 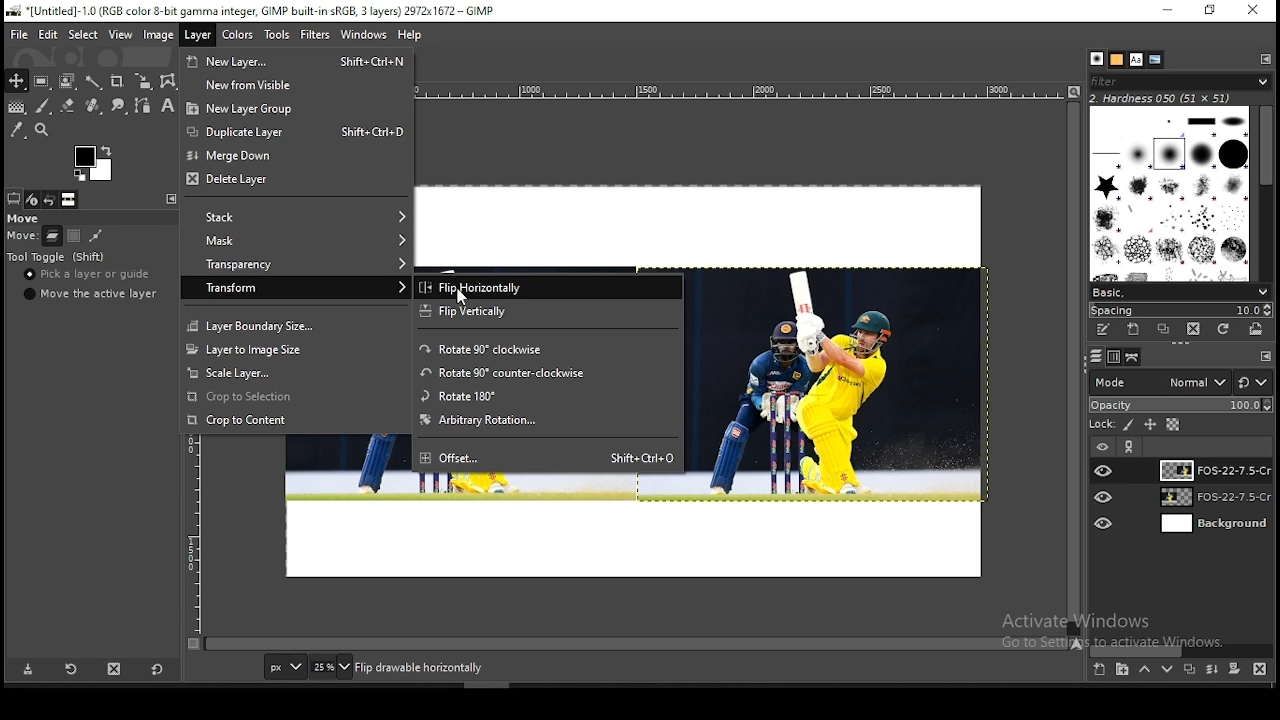 I want to click on move layer, so click(x=52, y=236).